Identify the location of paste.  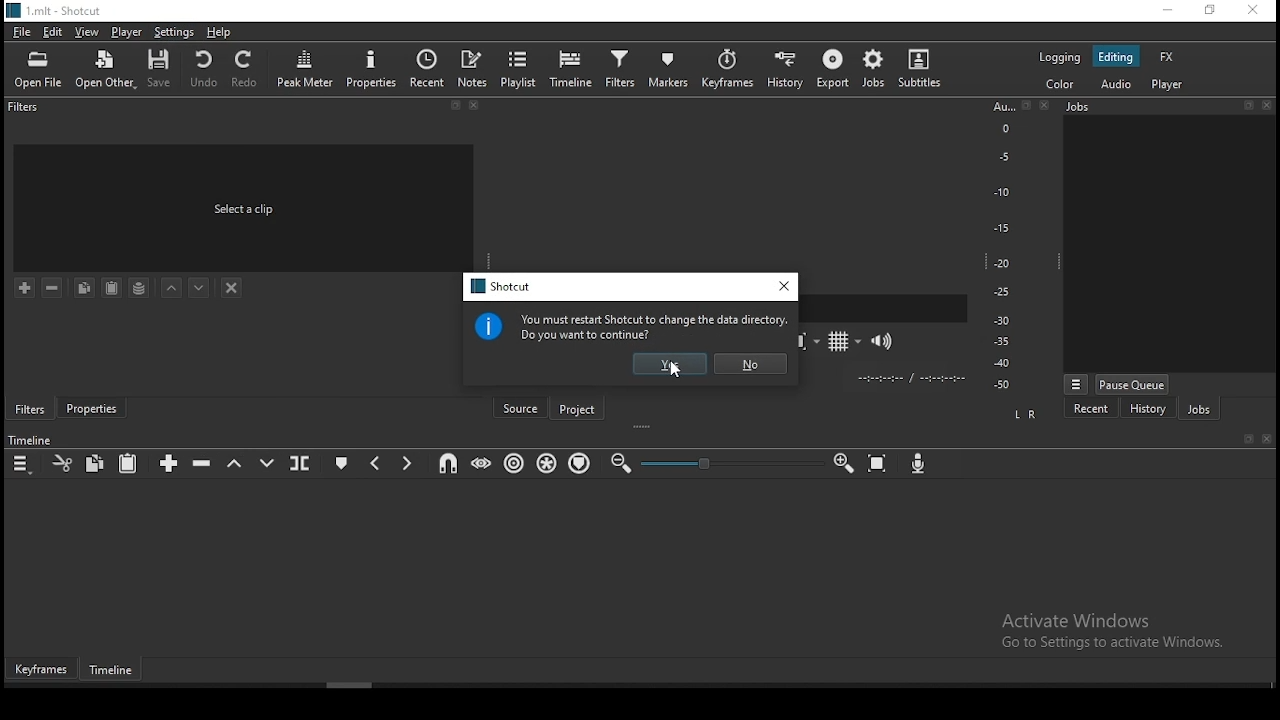
(129, 463).